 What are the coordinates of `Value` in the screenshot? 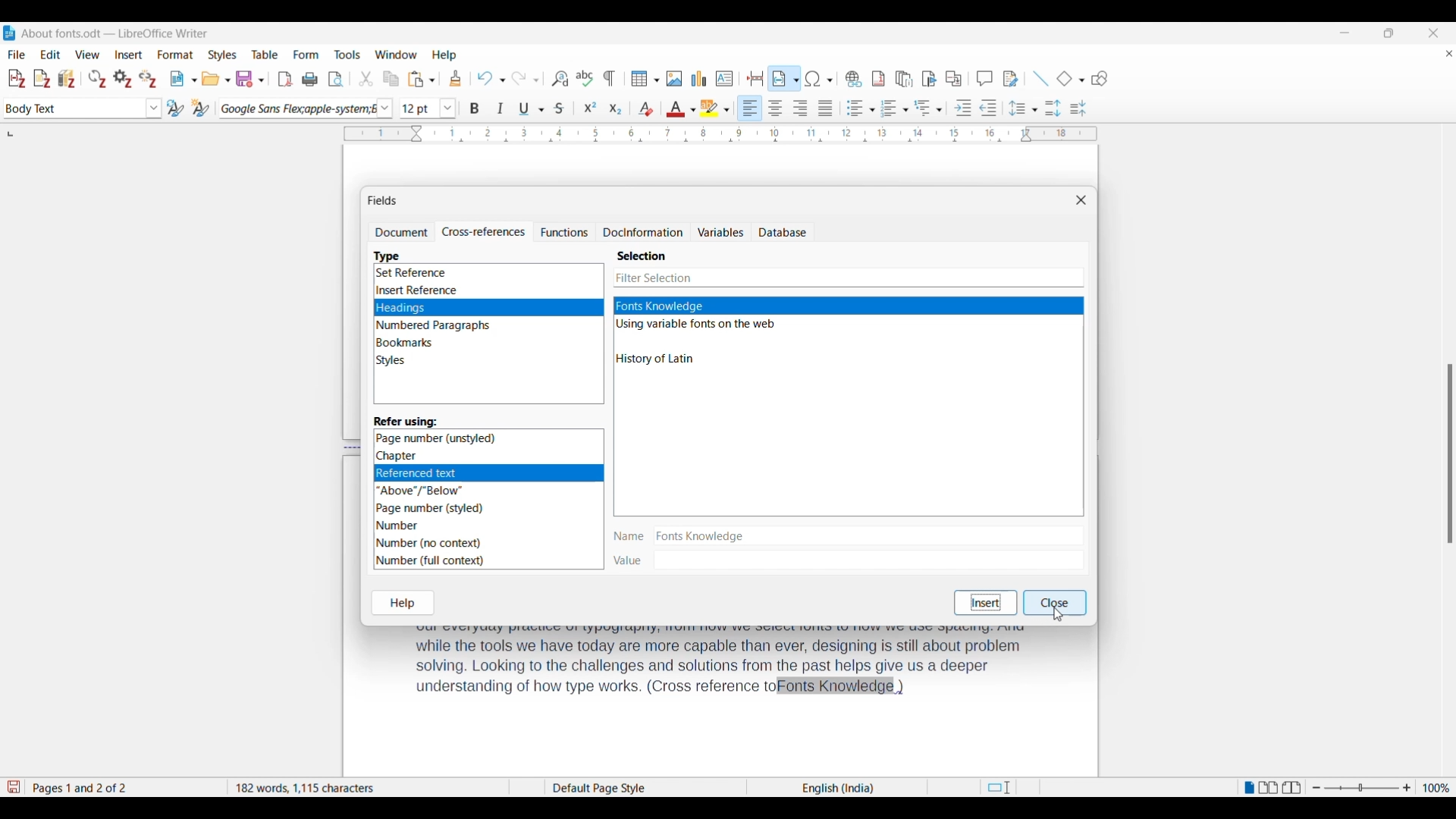 It's located at (868, 559).